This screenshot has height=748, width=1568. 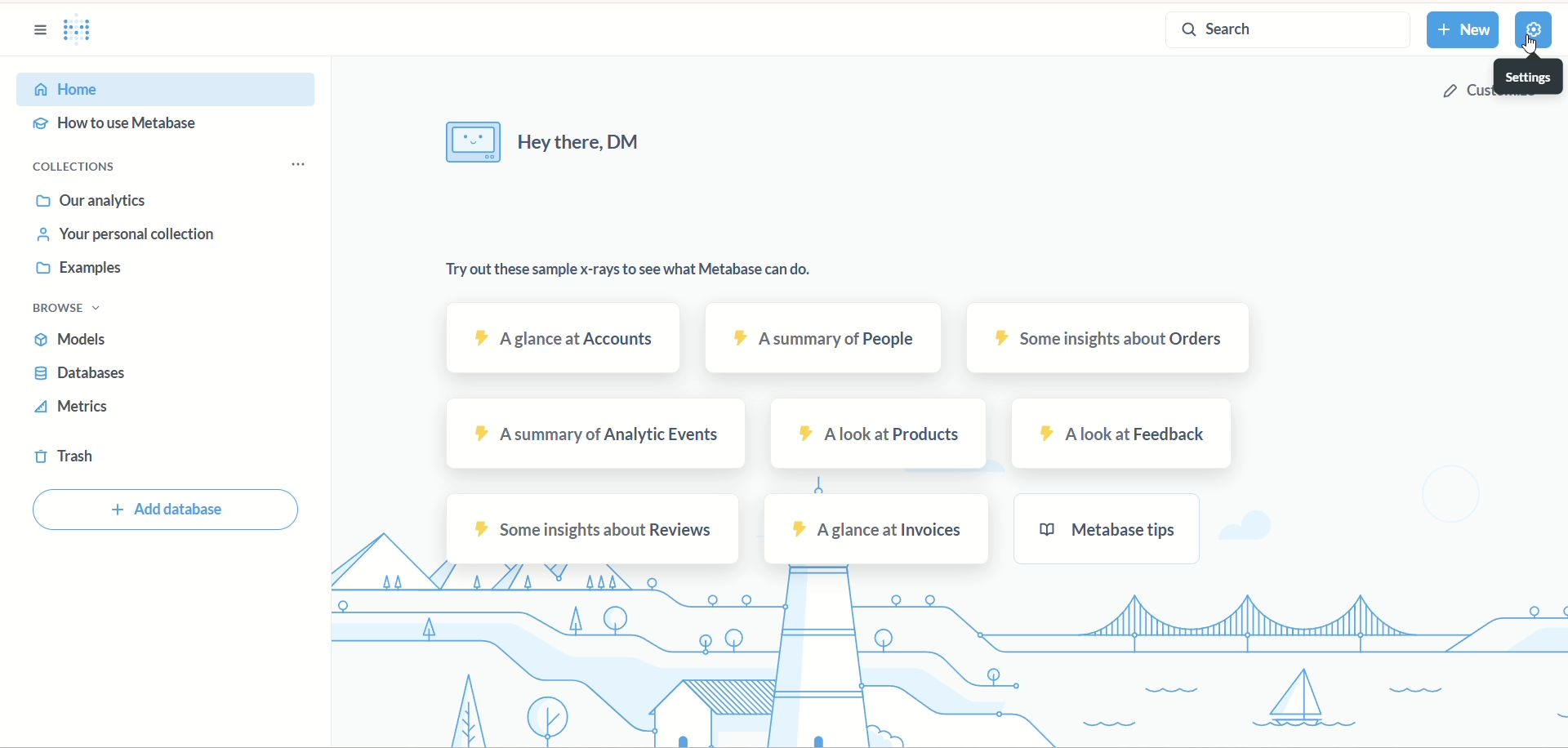 What do you see at coordinates (538, 142) in the screenshot?
I see `text` at bounding box center [538, 142].